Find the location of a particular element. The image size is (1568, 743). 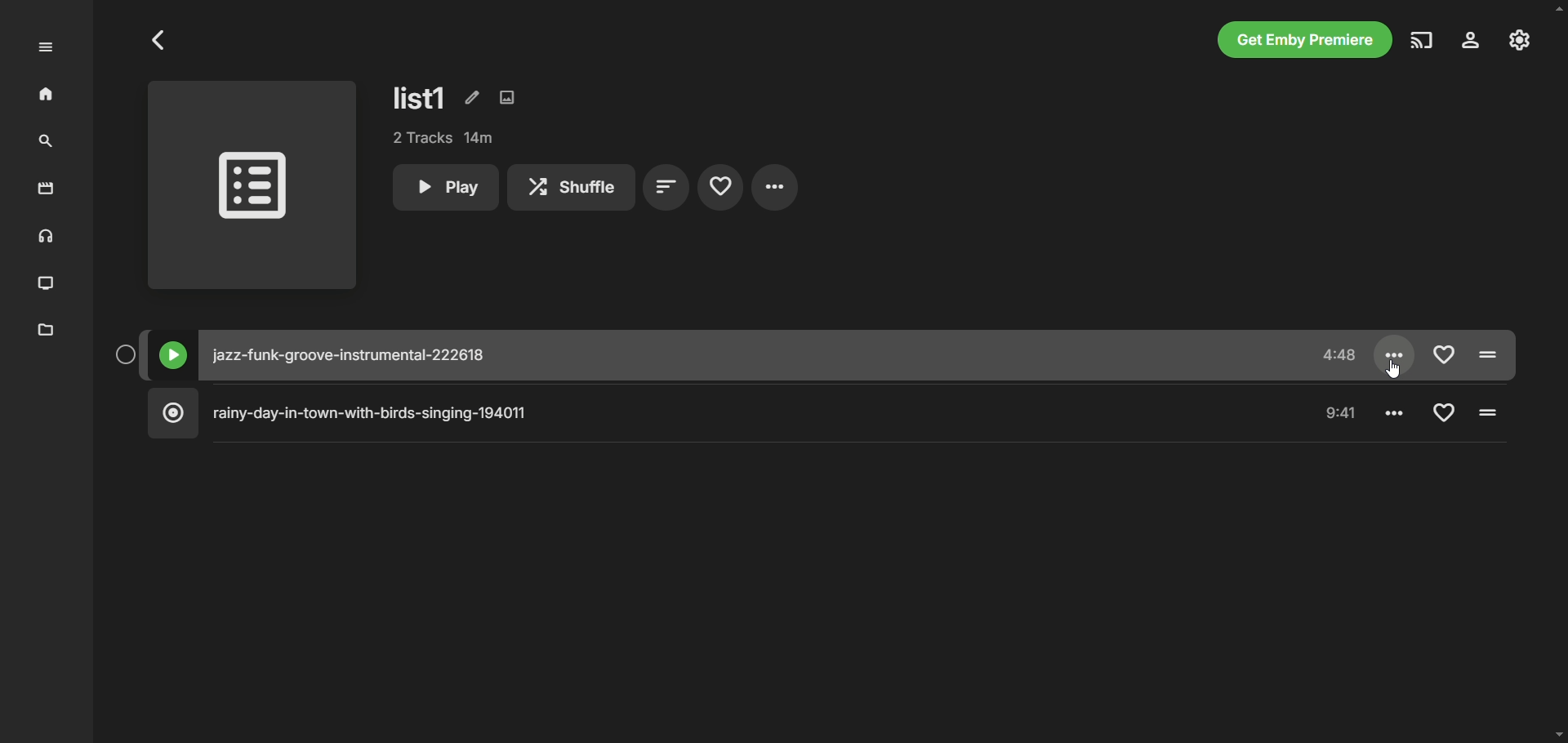

playlist is located at coordinates (253, 189).